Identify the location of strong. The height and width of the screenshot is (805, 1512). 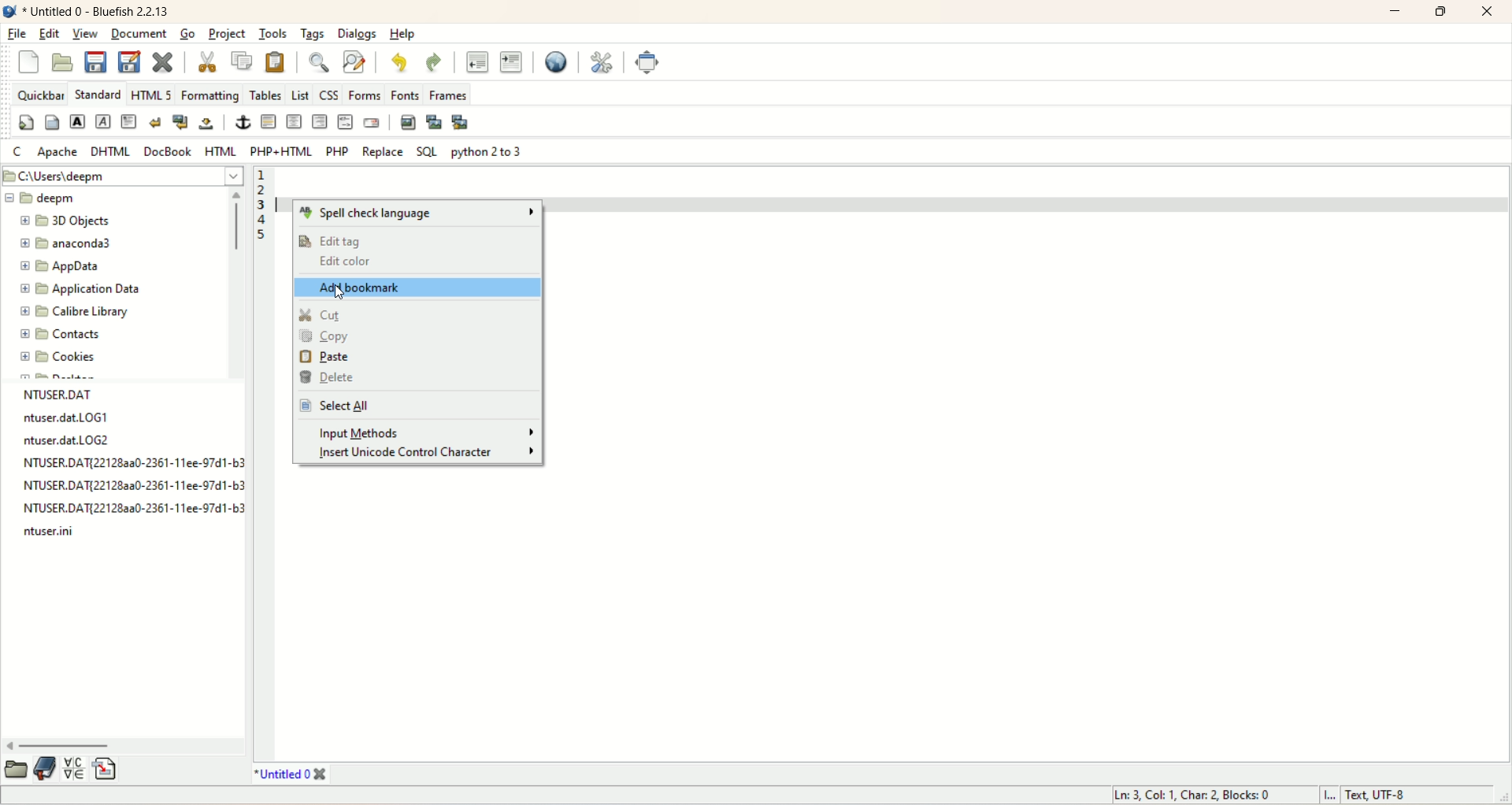
(76, 121).